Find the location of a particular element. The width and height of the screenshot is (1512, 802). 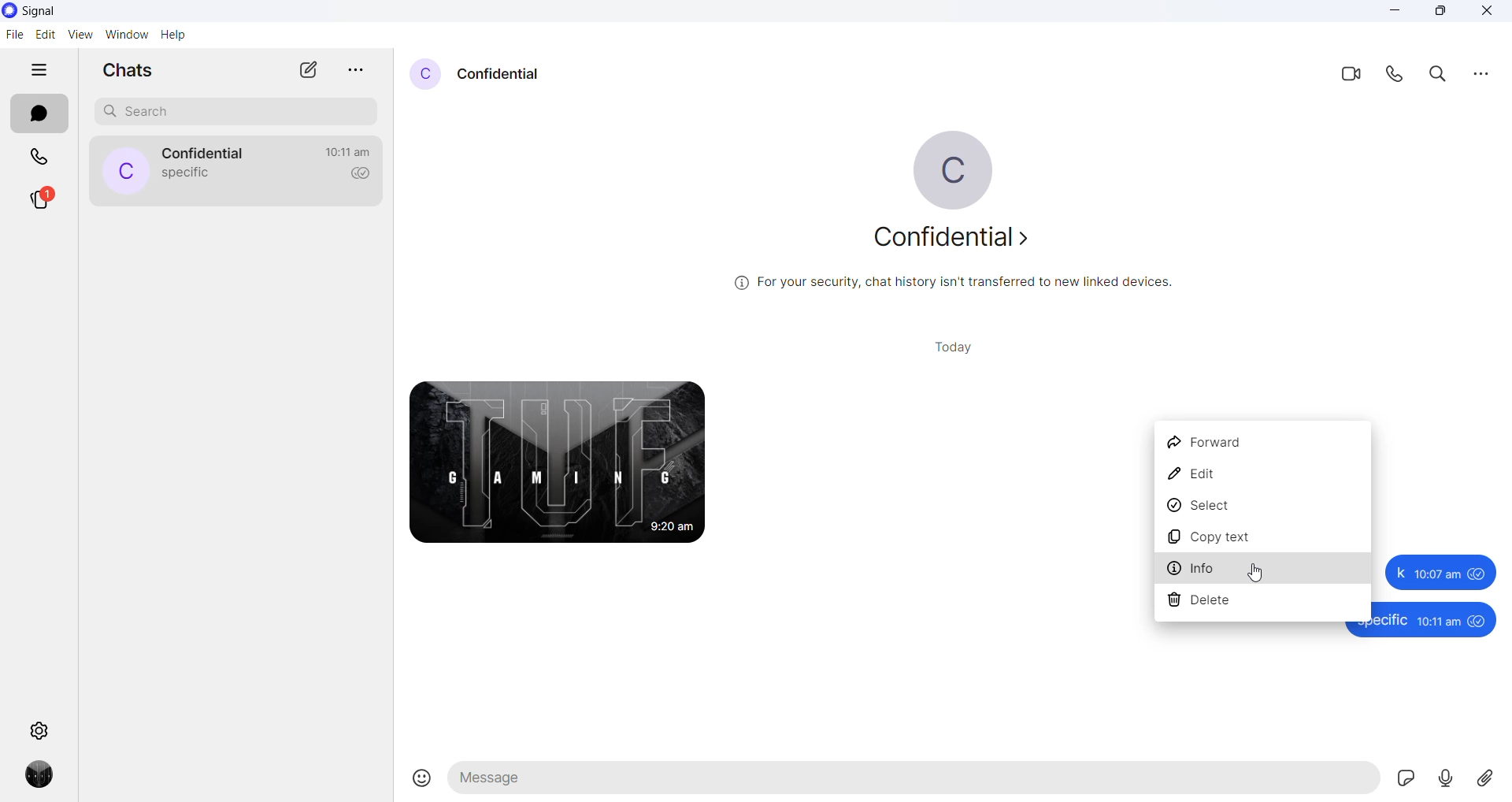

delete is located at coordinates (1263, 604).